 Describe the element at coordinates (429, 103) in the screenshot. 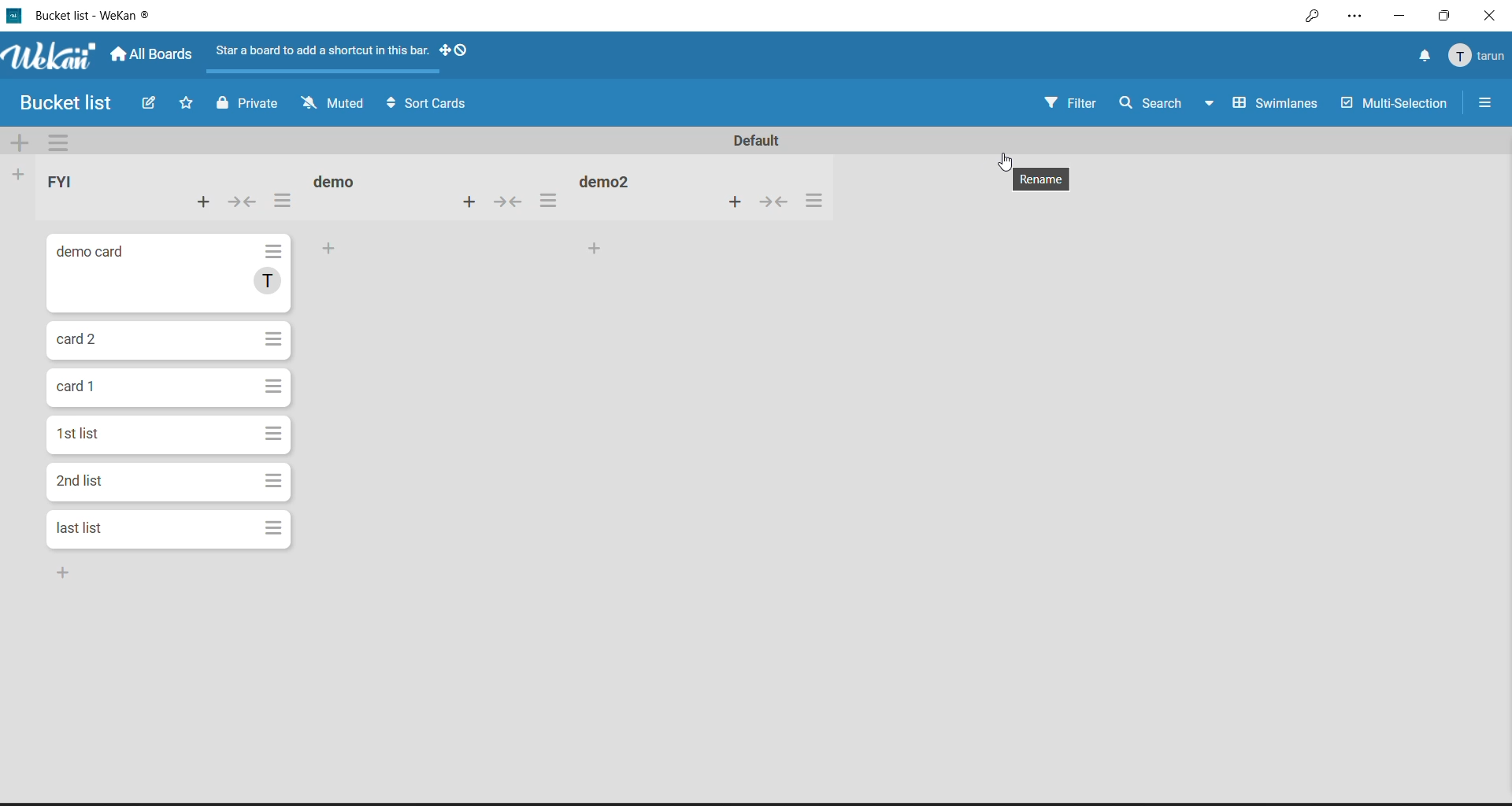

I see `sort cards` at that location.